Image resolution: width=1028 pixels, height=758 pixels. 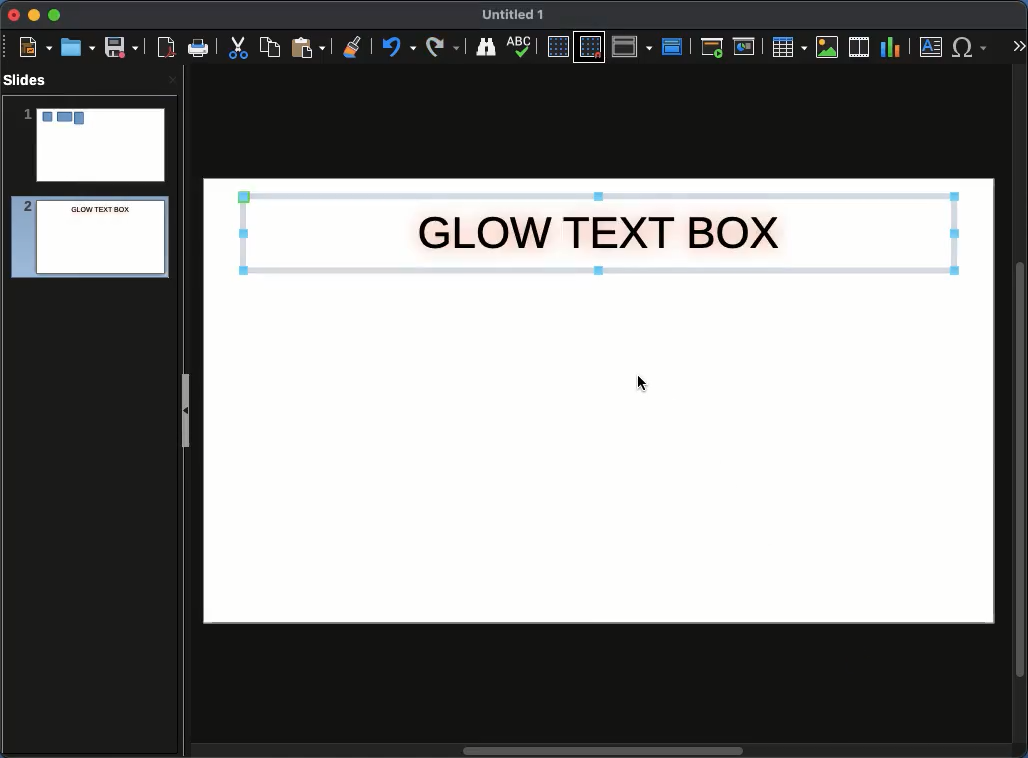 I want to click on Ope, so click(x=78, y=46).